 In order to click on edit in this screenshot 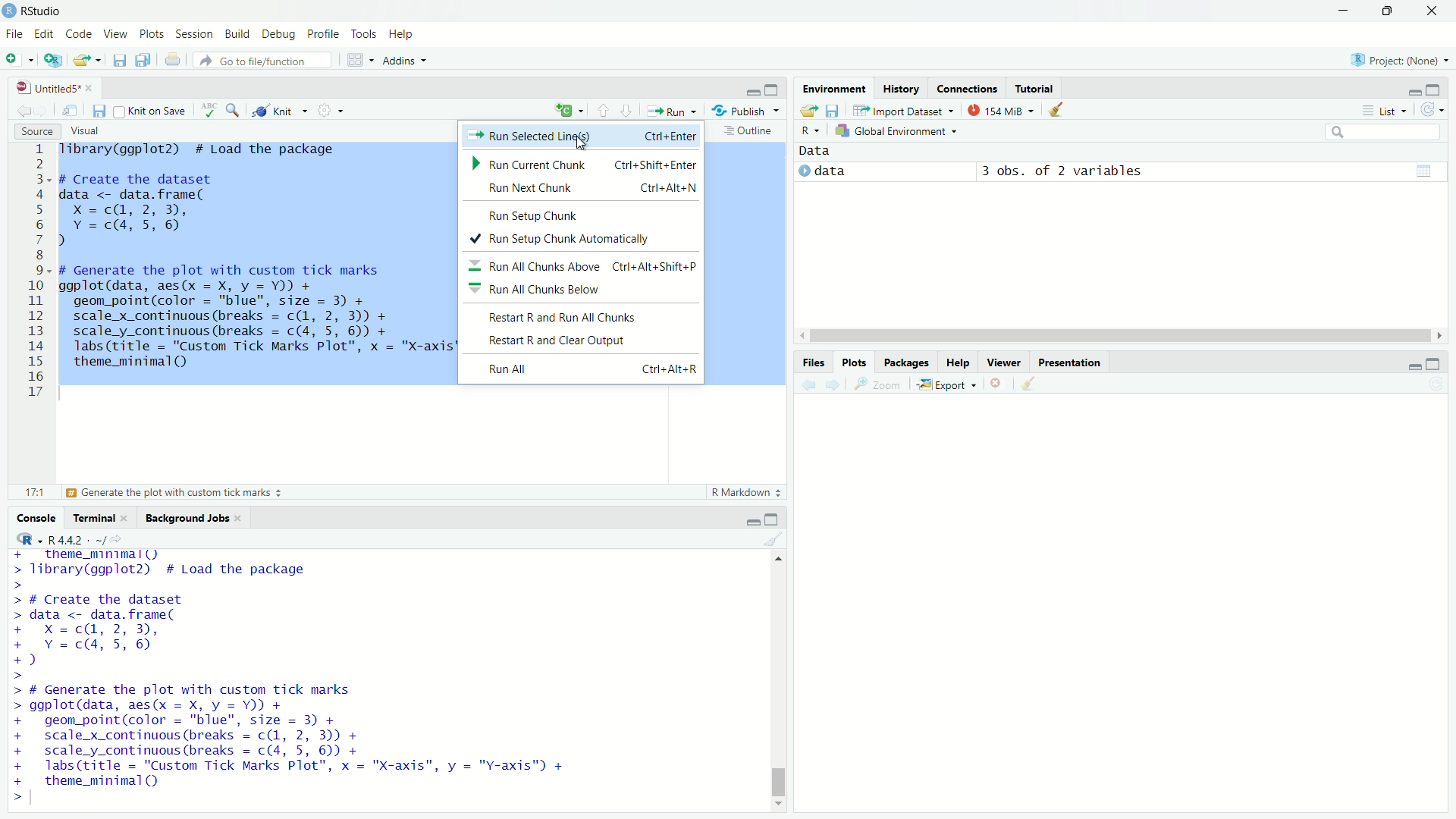, I will do `click(45, 35)`.